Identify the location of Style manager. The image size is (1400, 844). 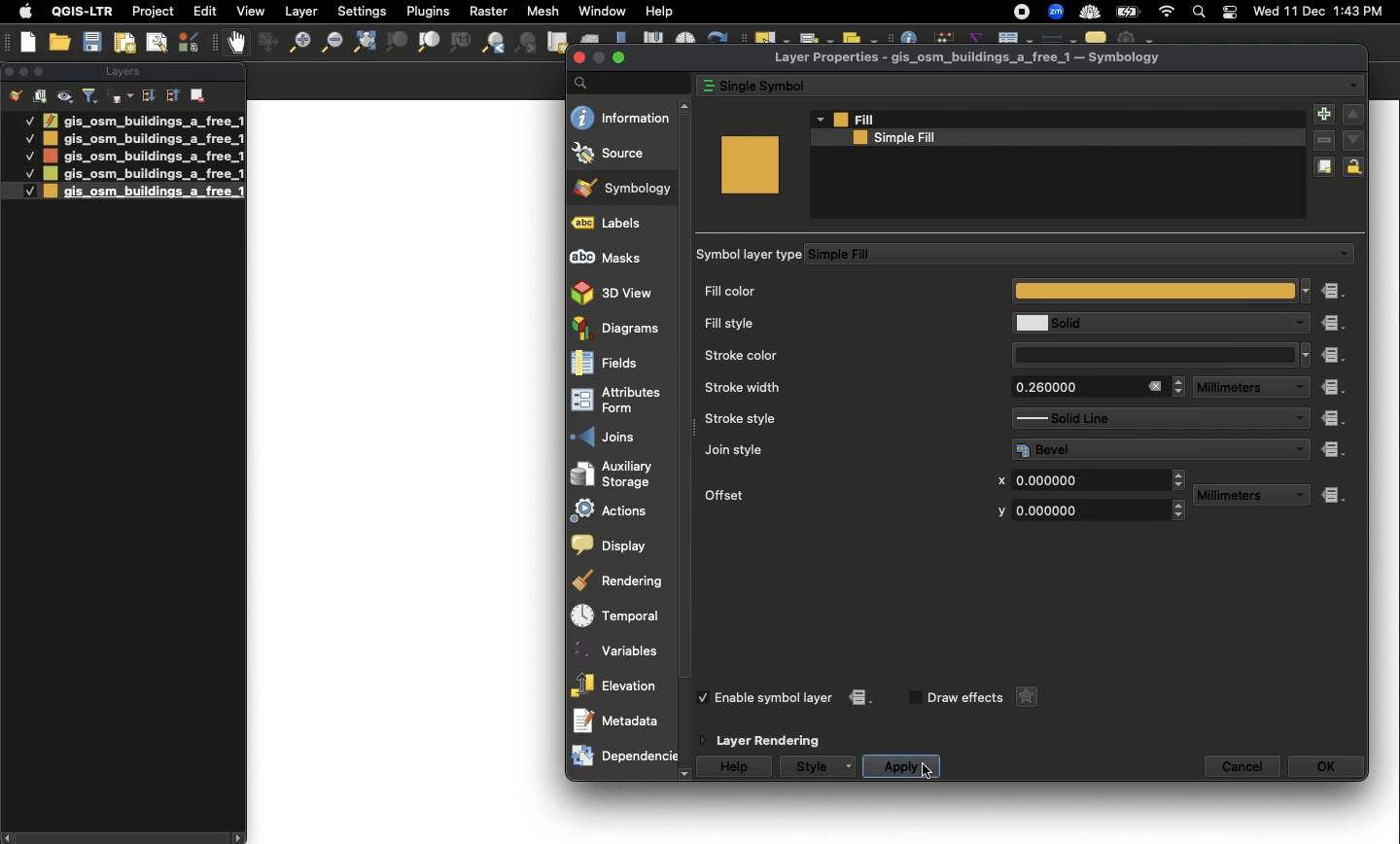
(265, 43).